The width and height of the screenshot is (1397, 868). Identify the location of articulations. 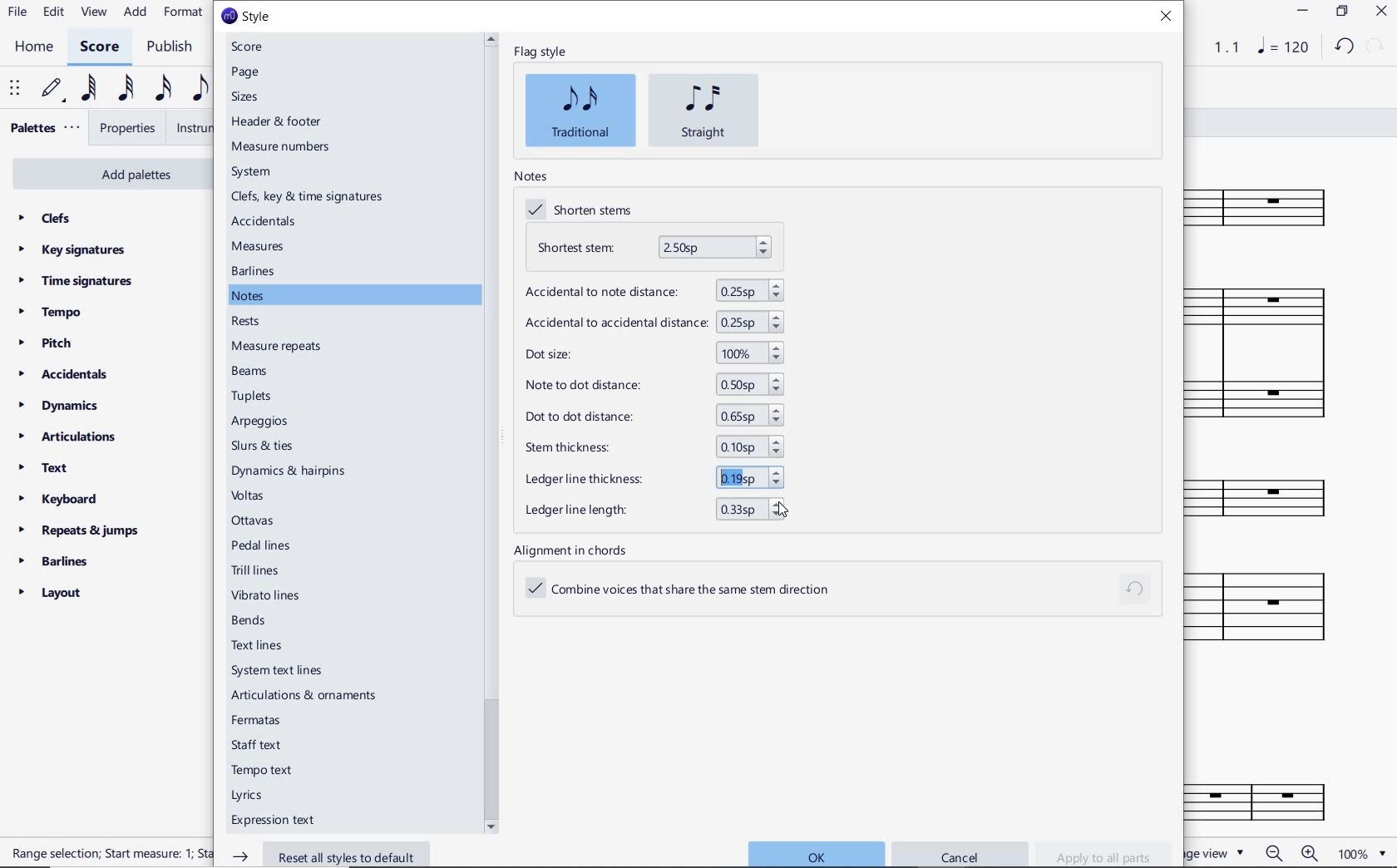
(67, 437).